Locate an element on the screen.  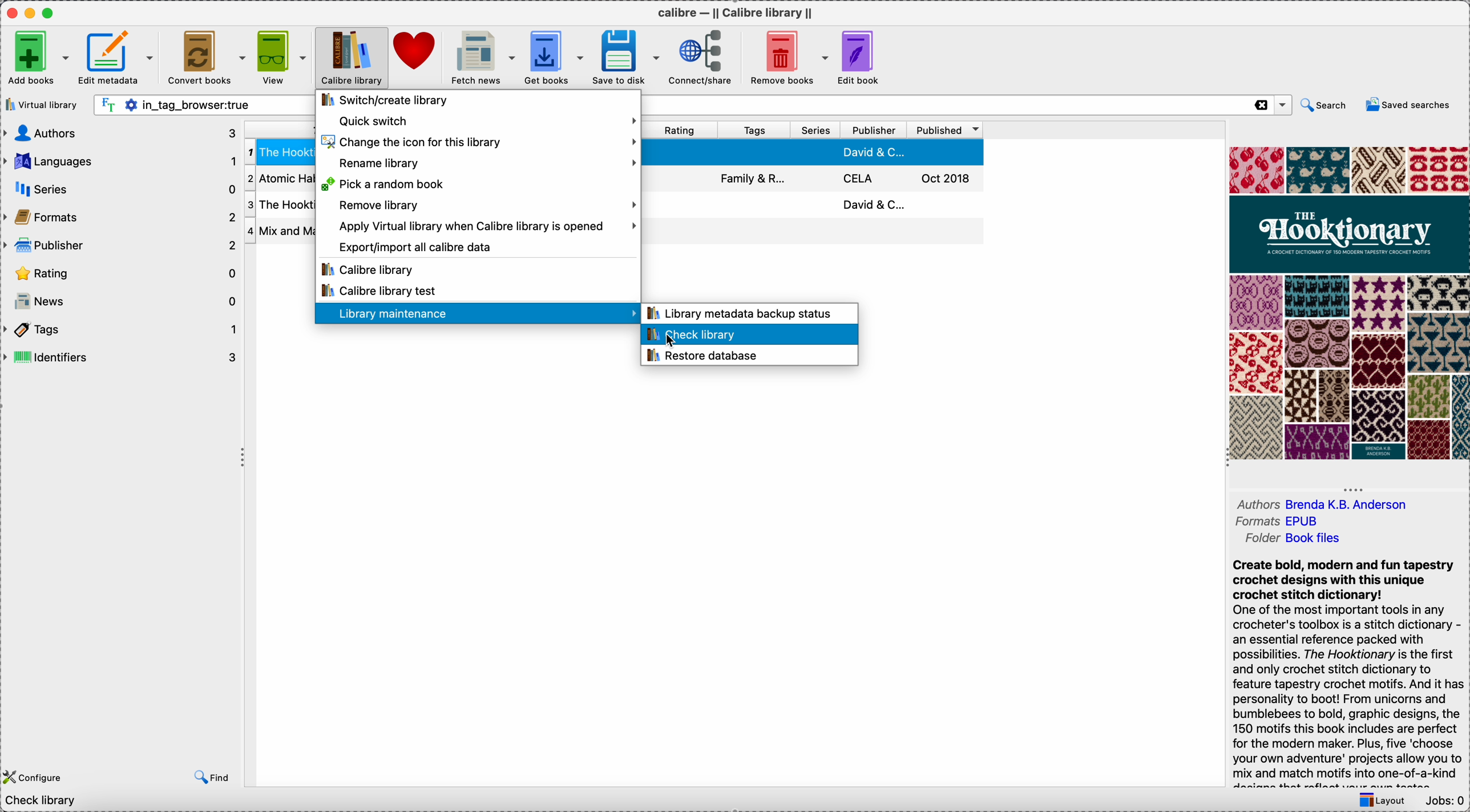
search bar is located at coordinates (205, 104).